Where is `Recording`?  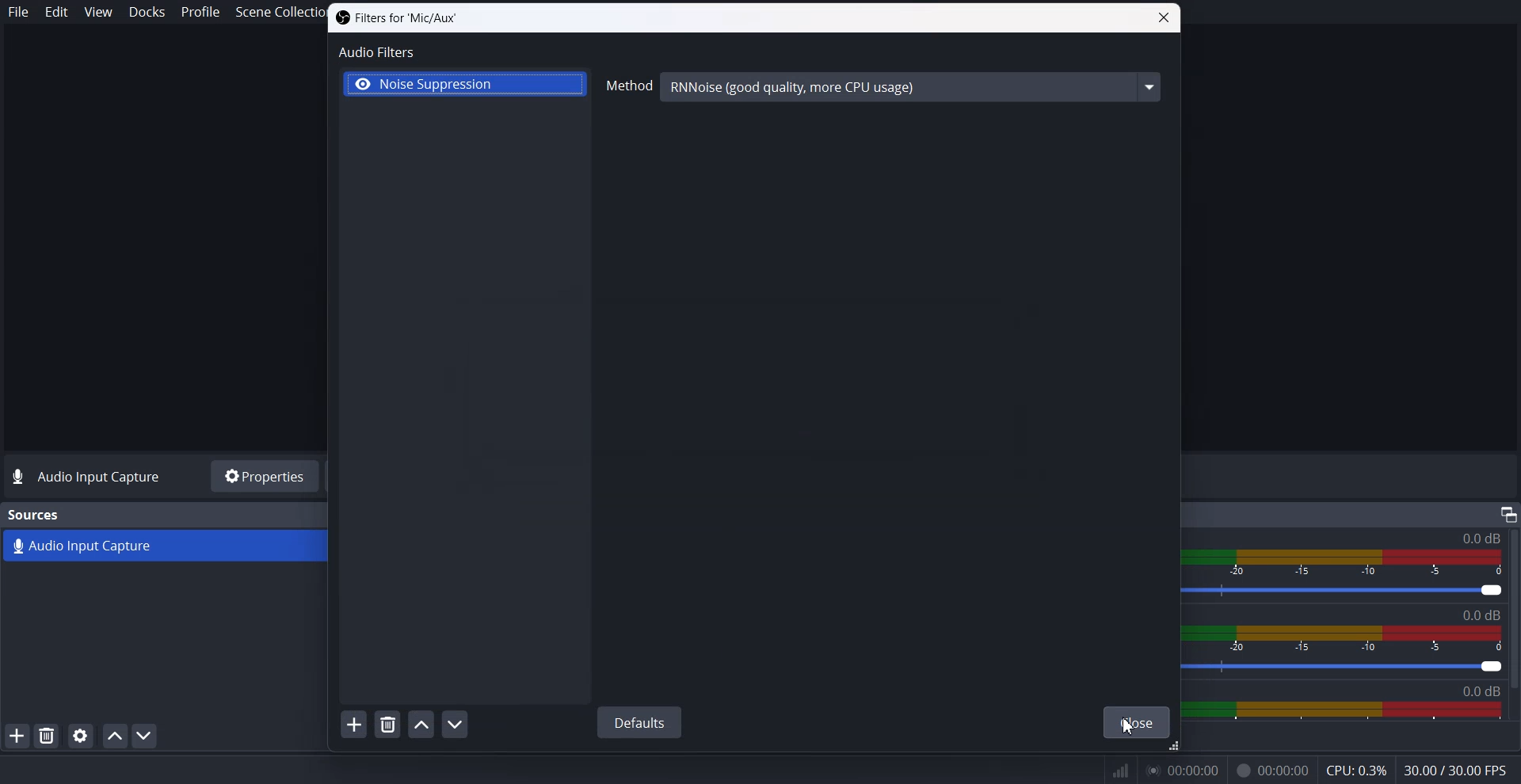 Recording is located at coordinates (1272, 771).